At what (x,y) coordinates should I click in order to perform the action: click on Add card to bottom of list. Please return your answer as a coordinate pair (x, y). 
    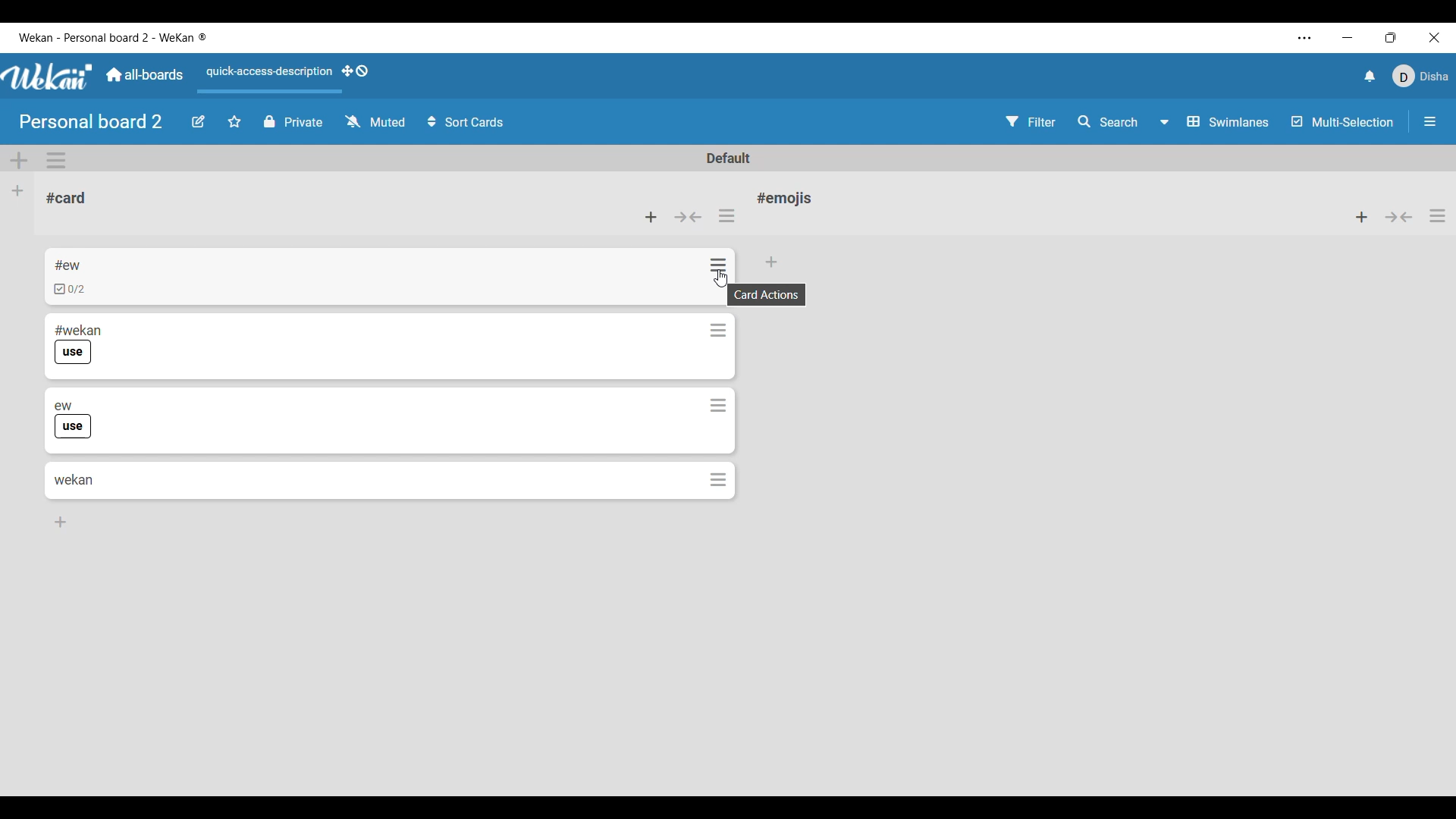
    Looking at the image, I should click on (772, 262).